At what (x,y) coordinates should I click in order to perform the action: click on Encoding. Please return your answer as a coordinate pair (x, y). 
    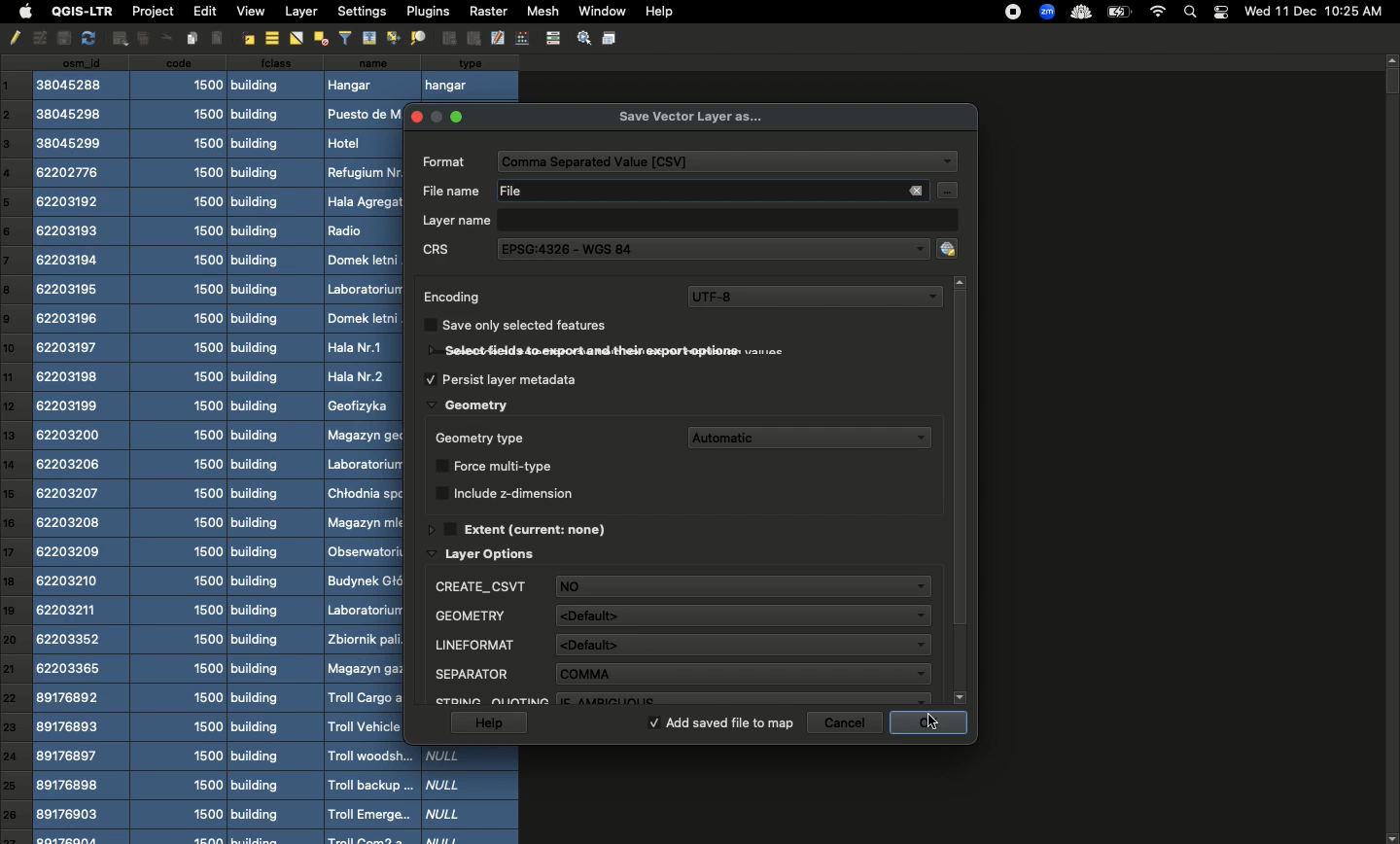
    Looking at the image, I should click on (455, 299).